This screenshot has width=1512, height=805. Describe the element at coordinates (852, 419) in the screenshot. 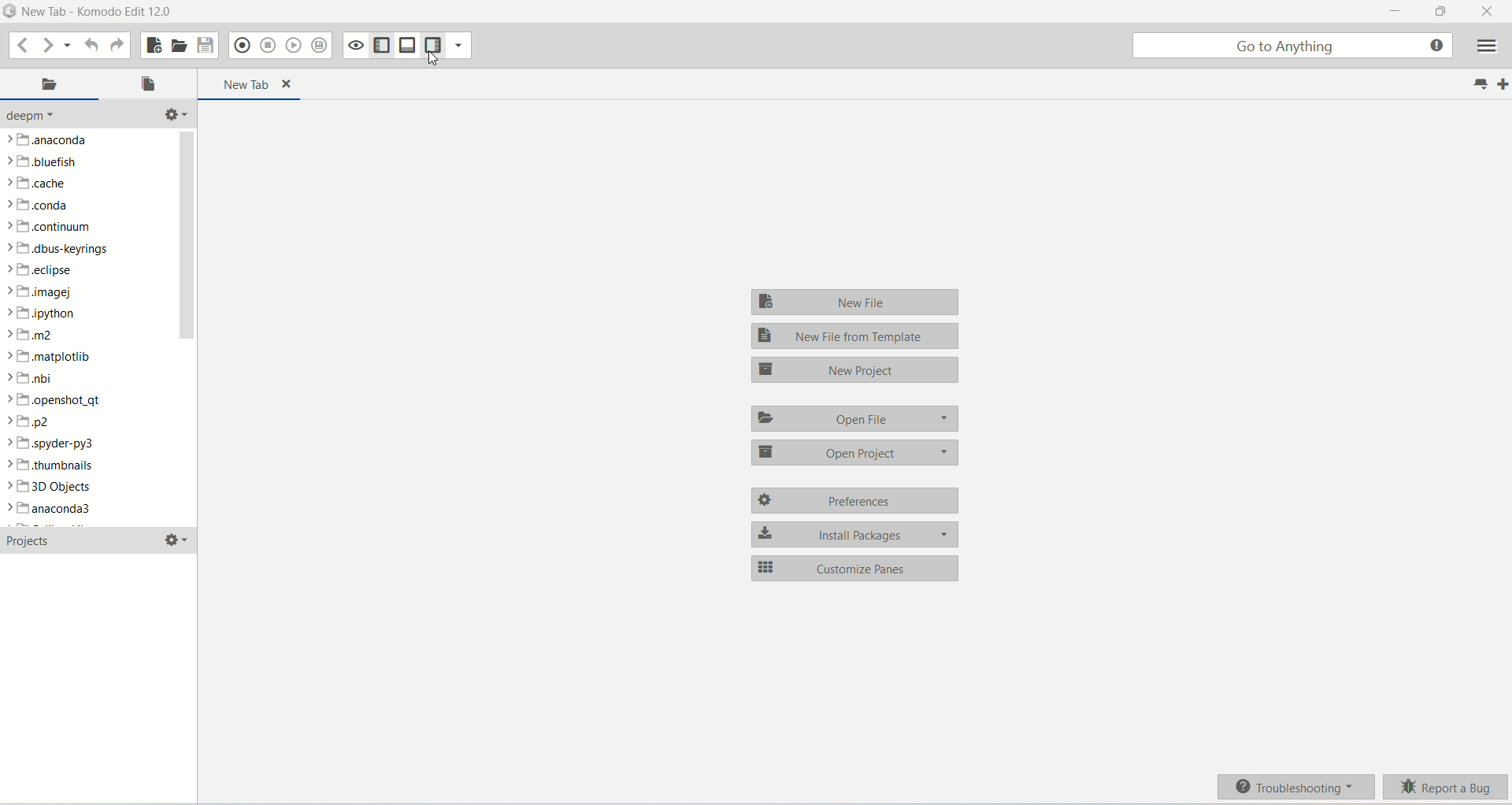

I see `open file` at that location.